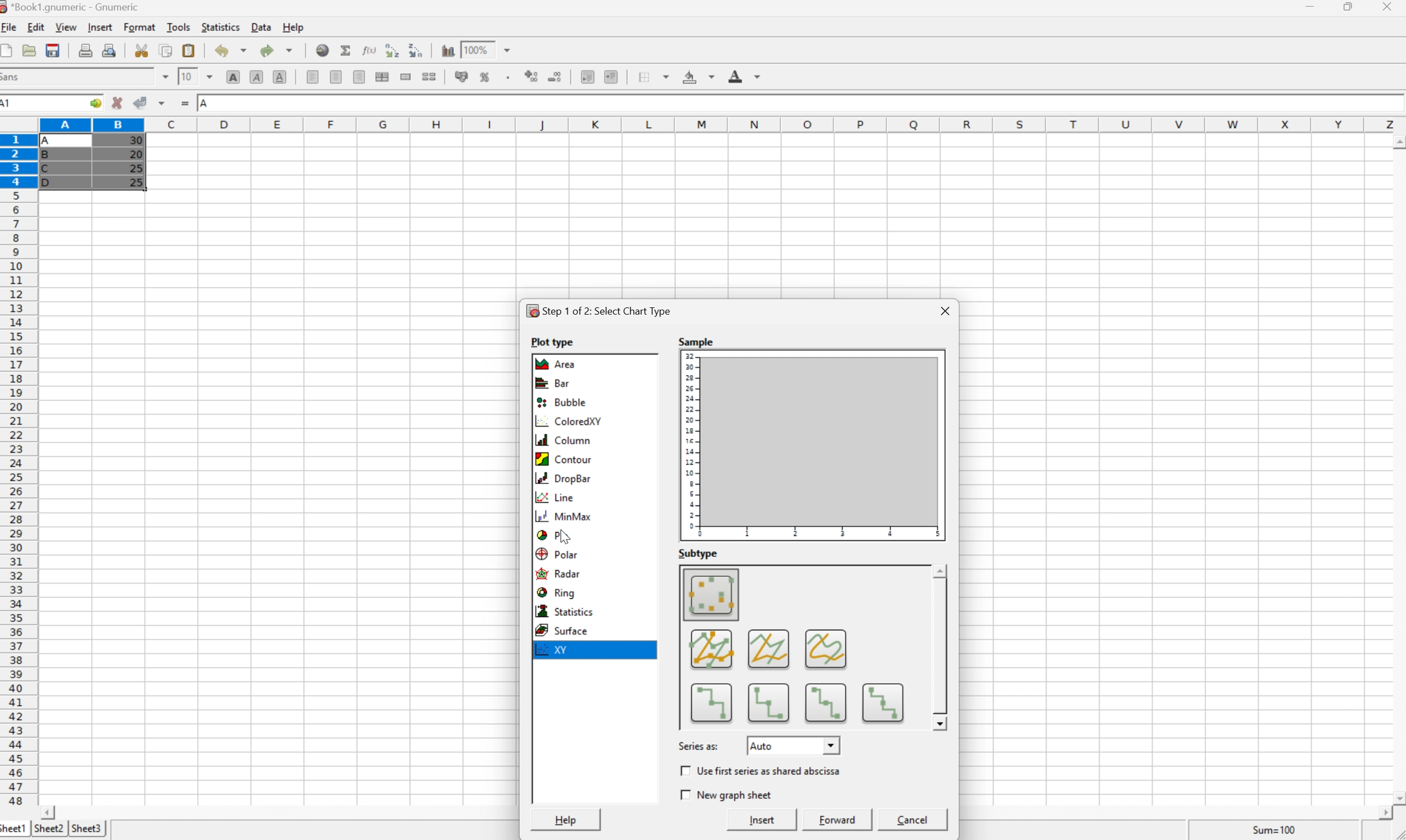 This screenshot has height=840, width=1406. I want to click on 25, so click(135, 168).